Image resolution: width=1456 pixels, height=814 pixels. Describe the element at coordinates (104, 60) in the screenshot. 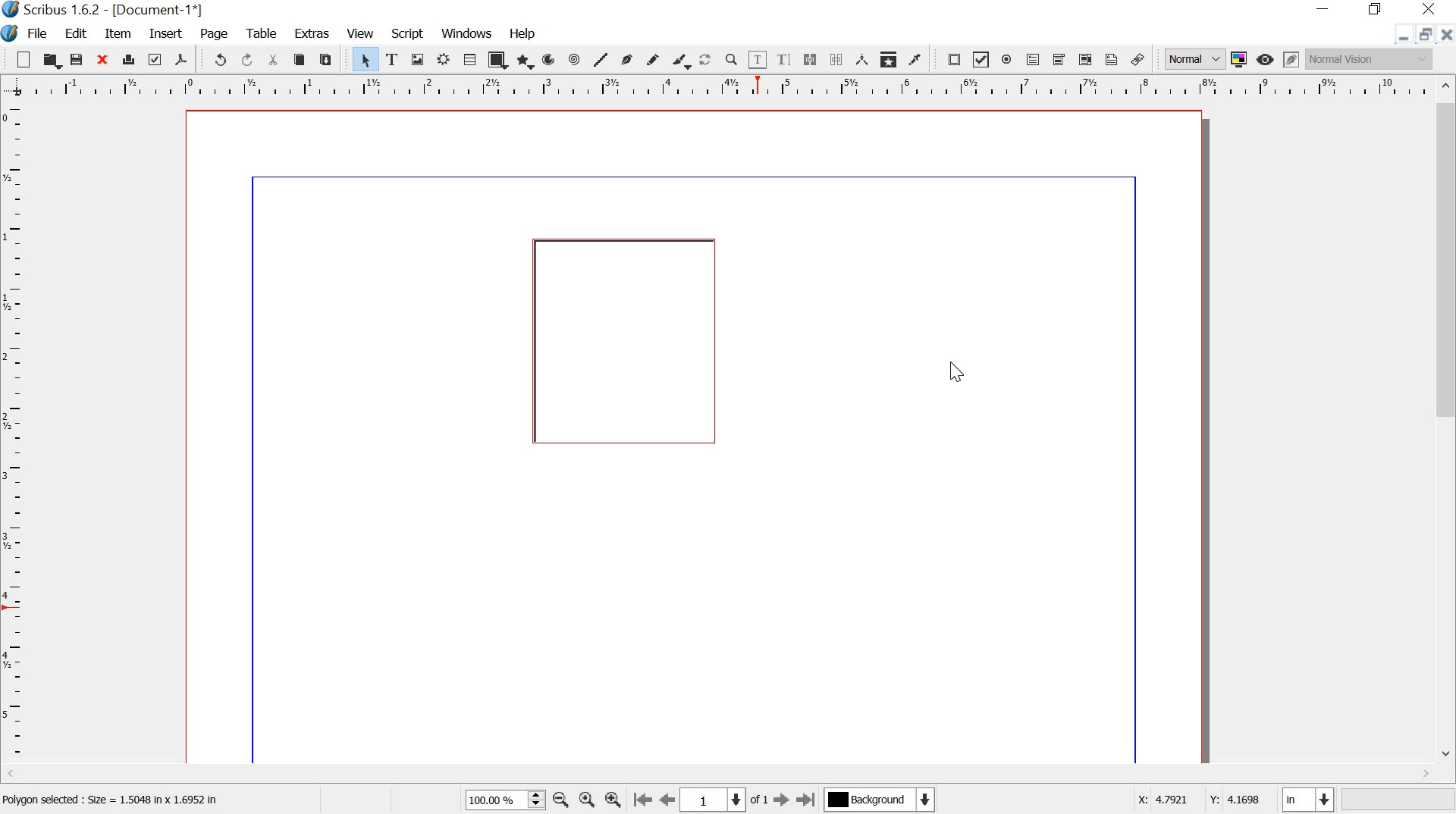

I see `close` at that location.